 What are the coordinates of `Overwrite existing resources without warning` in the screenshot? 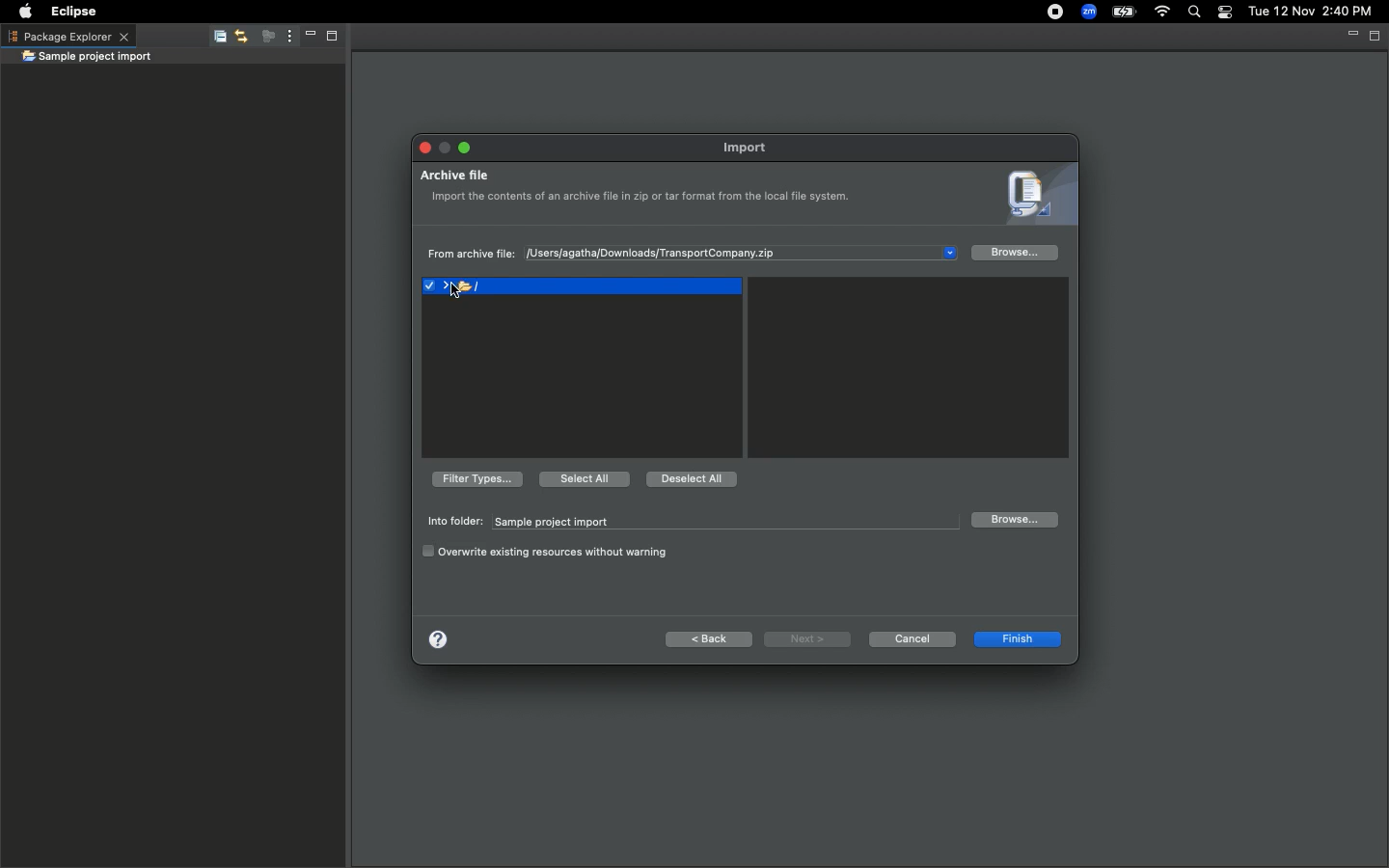 It's located at (548, 552).